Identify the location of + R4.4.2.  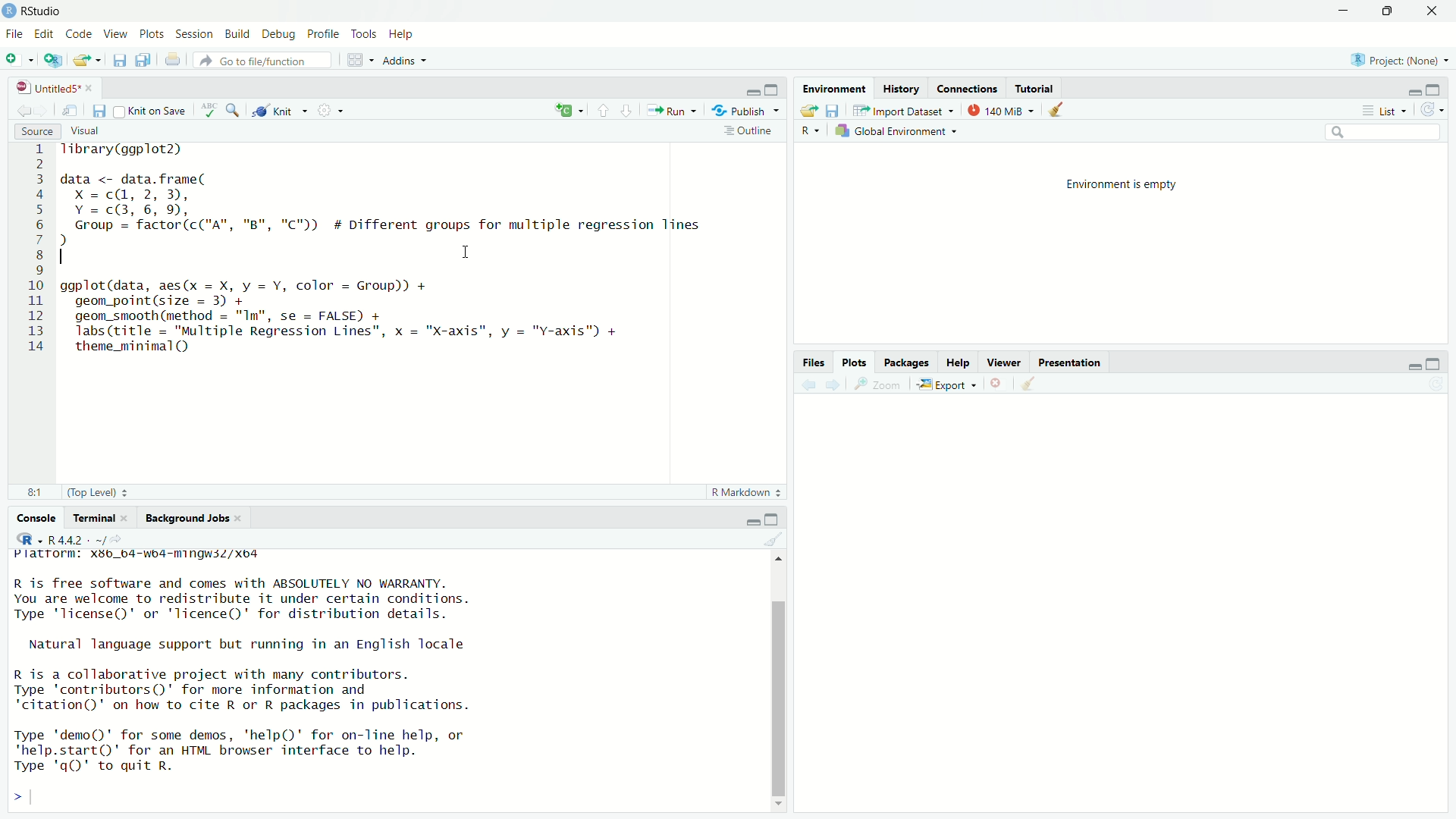
(65, 539).